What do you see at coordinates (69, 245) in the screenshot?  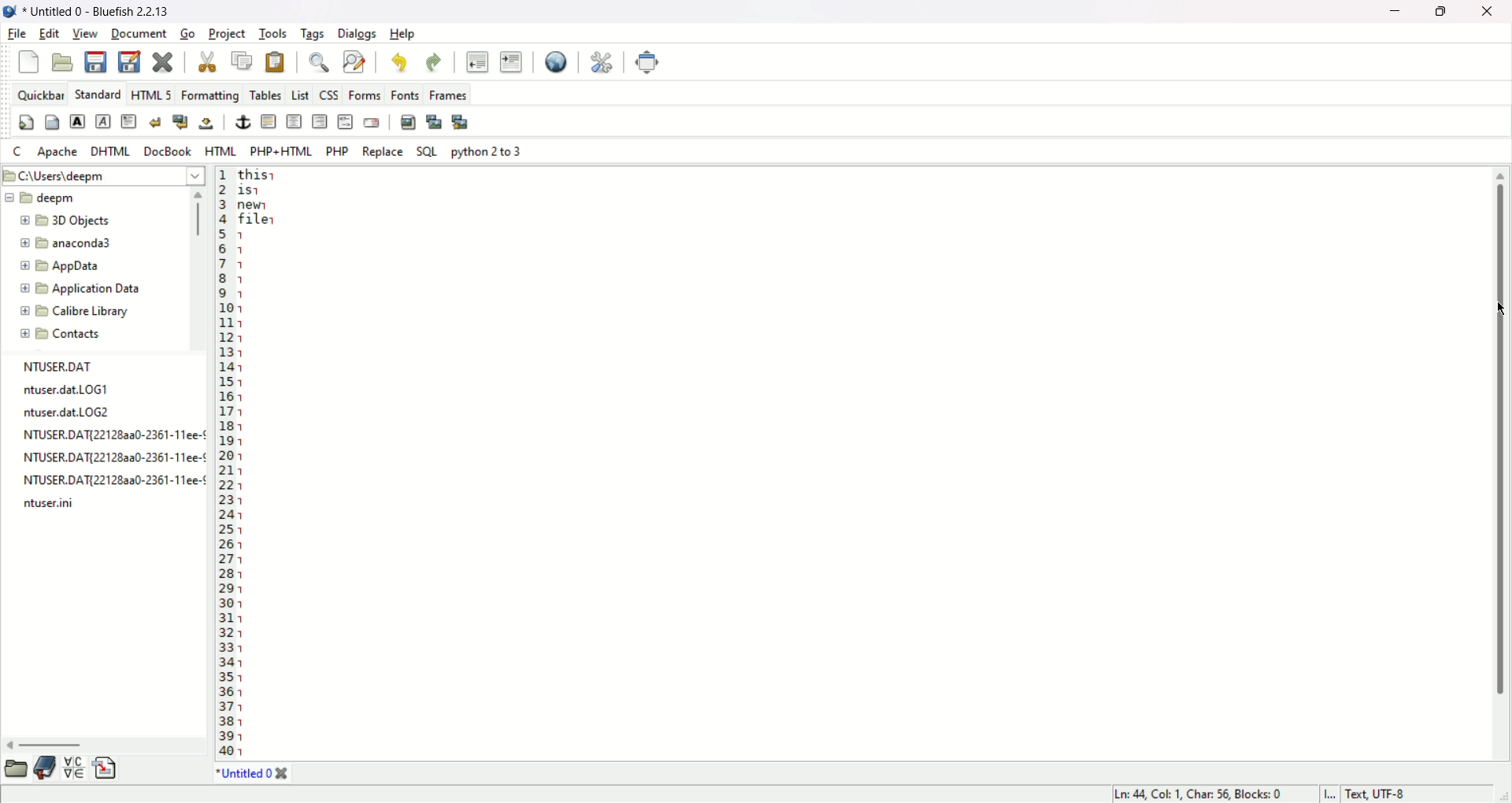 I see `Folder name` at bounding box center [69, 245].